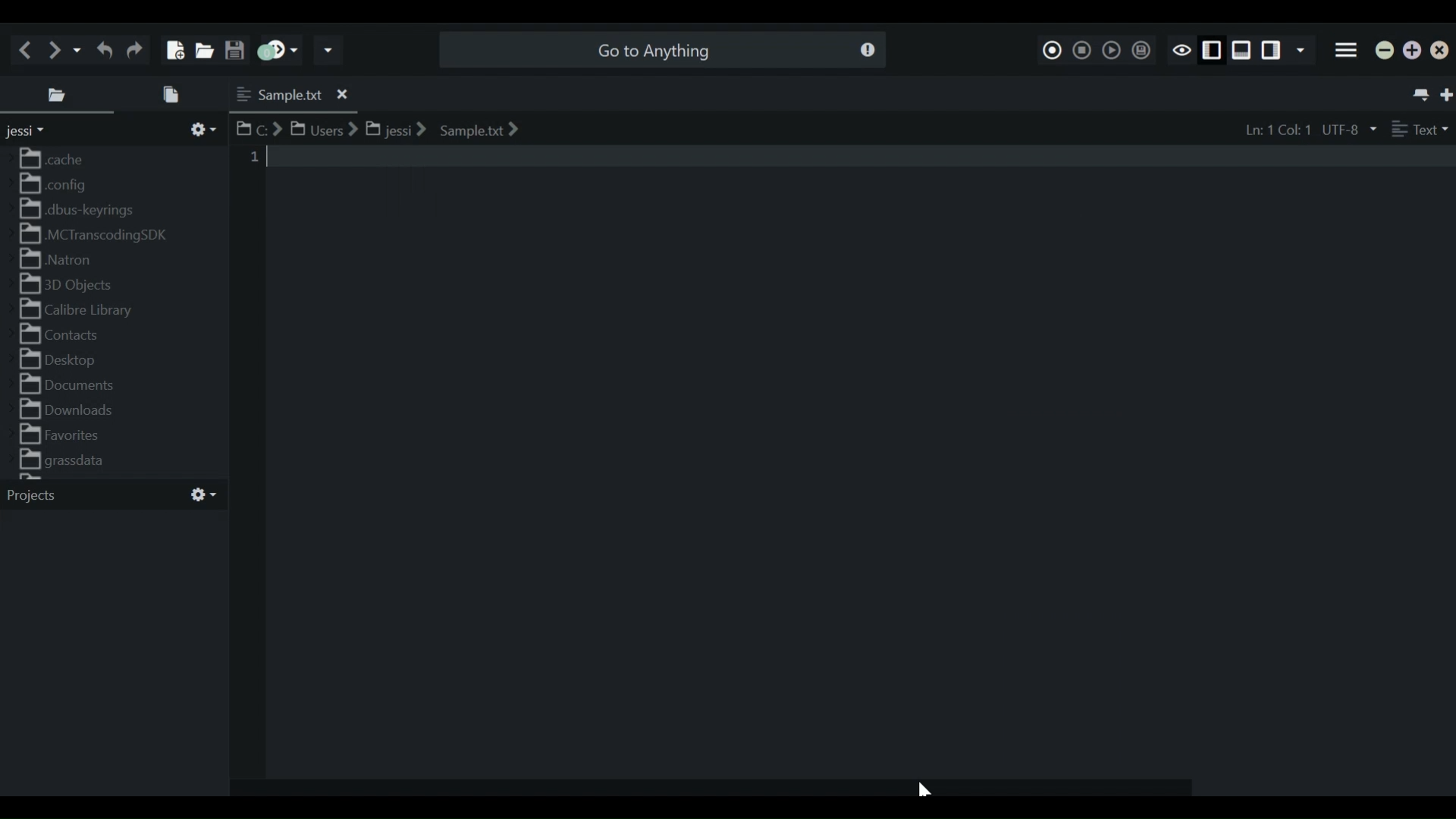 This screenshot has height=819, width=1456. I want to click on Recent locations, so click(80, 49).